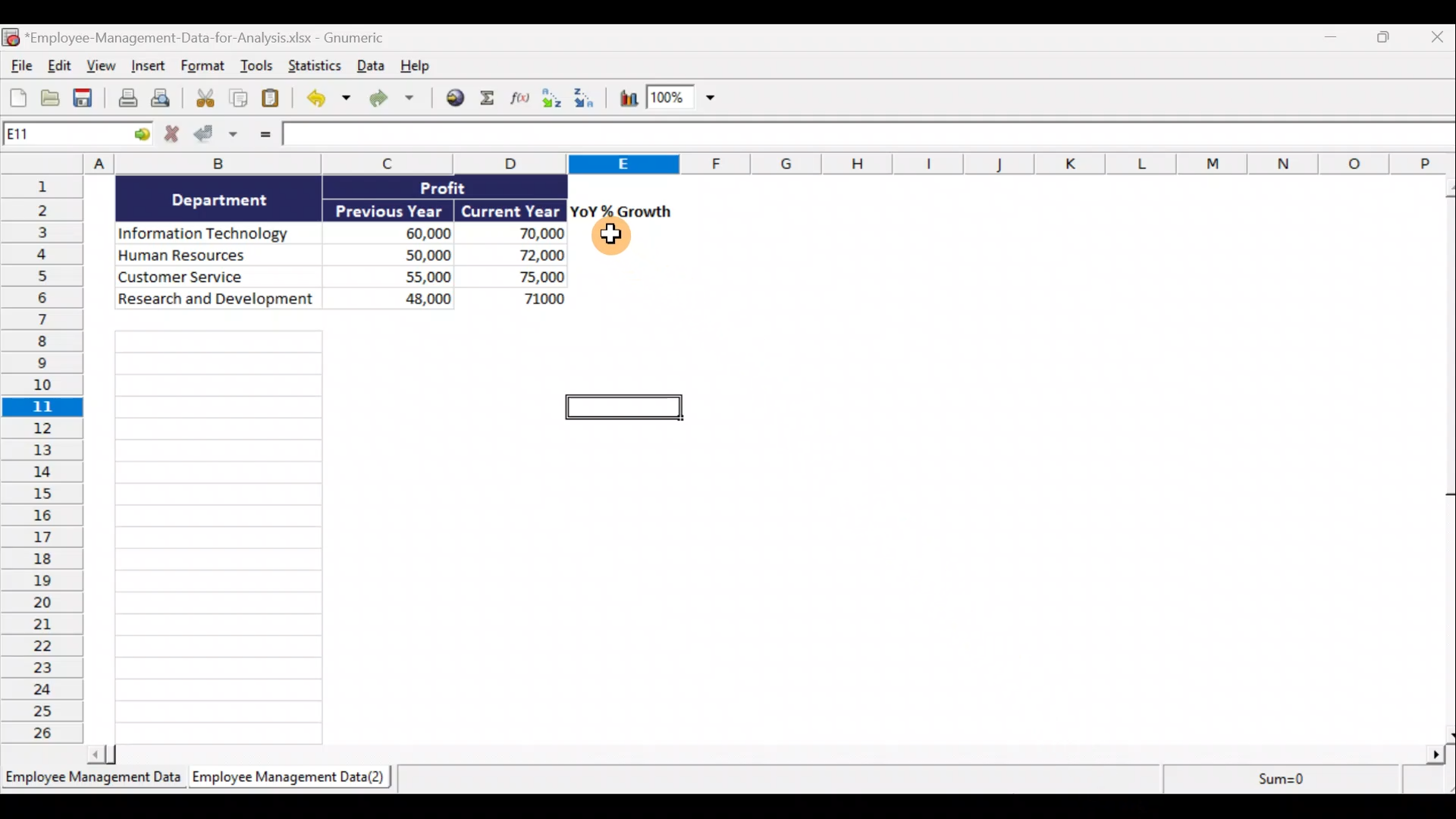 The width and height of the screenshot is (1456, 819). Describe the element at coordinates (284, 778) in the screenshot. I see `Sheet 2` at that location.